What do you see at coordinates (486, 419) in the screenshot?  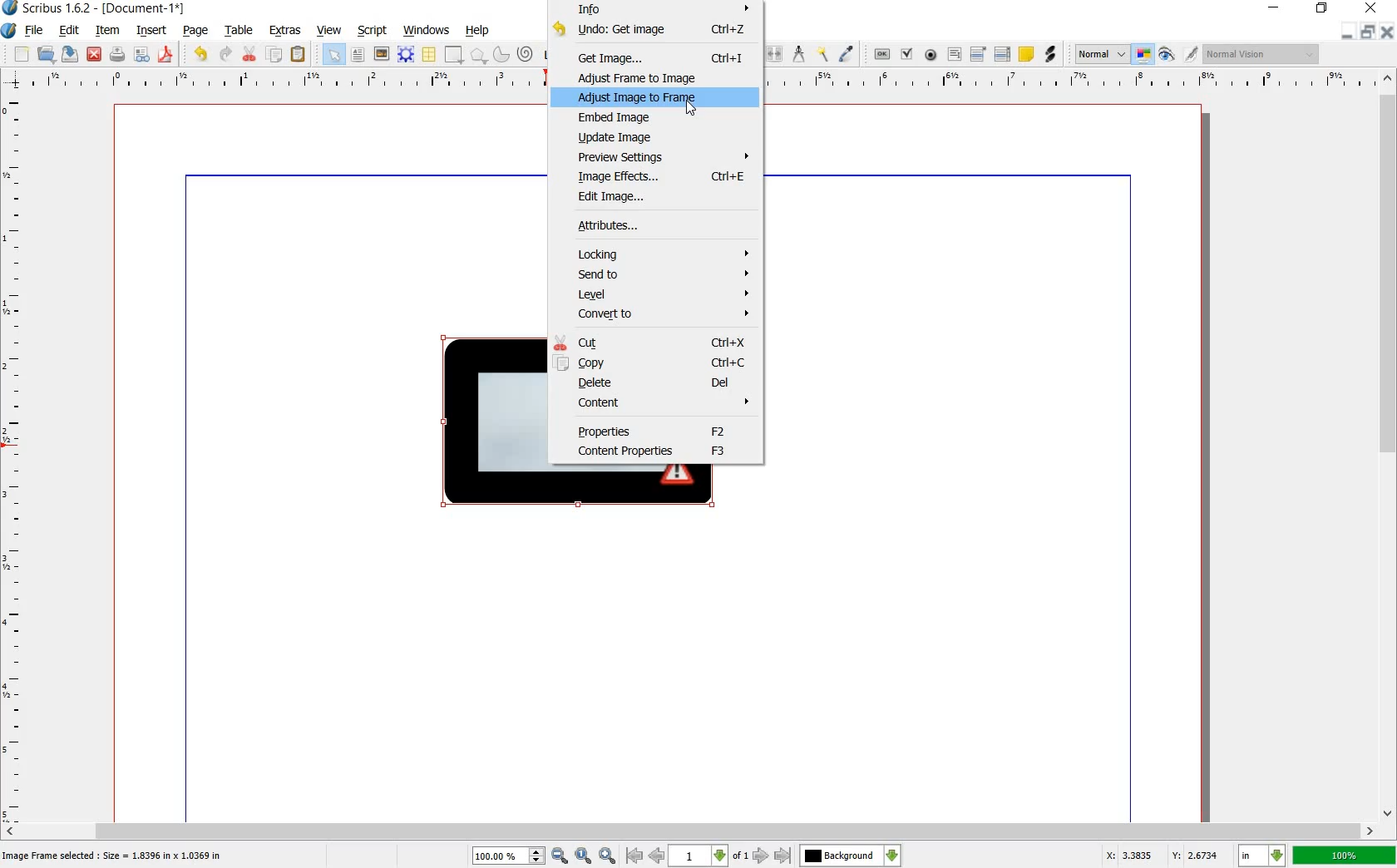 I see `shape` at bounding box center [486, 419].